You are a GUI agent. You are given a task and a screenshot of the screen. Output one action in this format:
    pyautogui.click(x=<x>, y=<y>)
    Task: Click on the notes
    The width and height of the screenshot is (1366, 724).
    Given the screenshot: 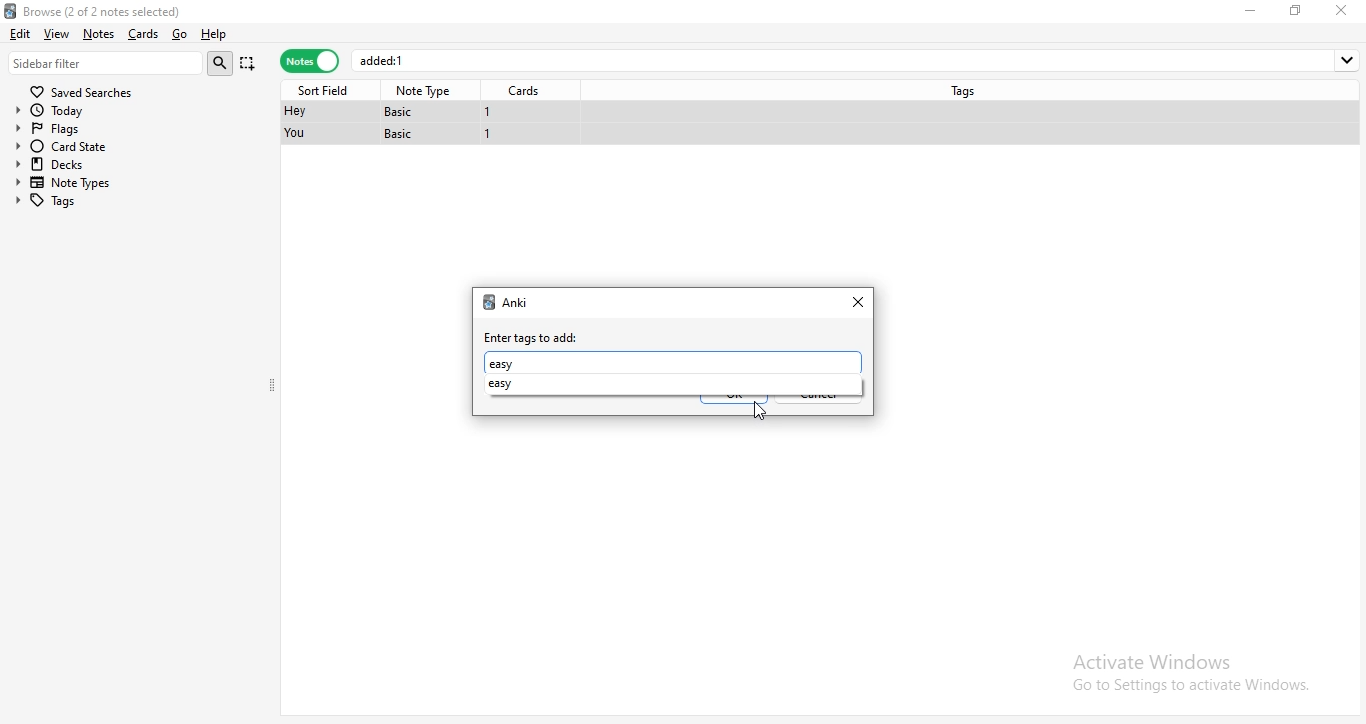 What is the action you would take?
    pyautogui.click(x=98, y=34)
    